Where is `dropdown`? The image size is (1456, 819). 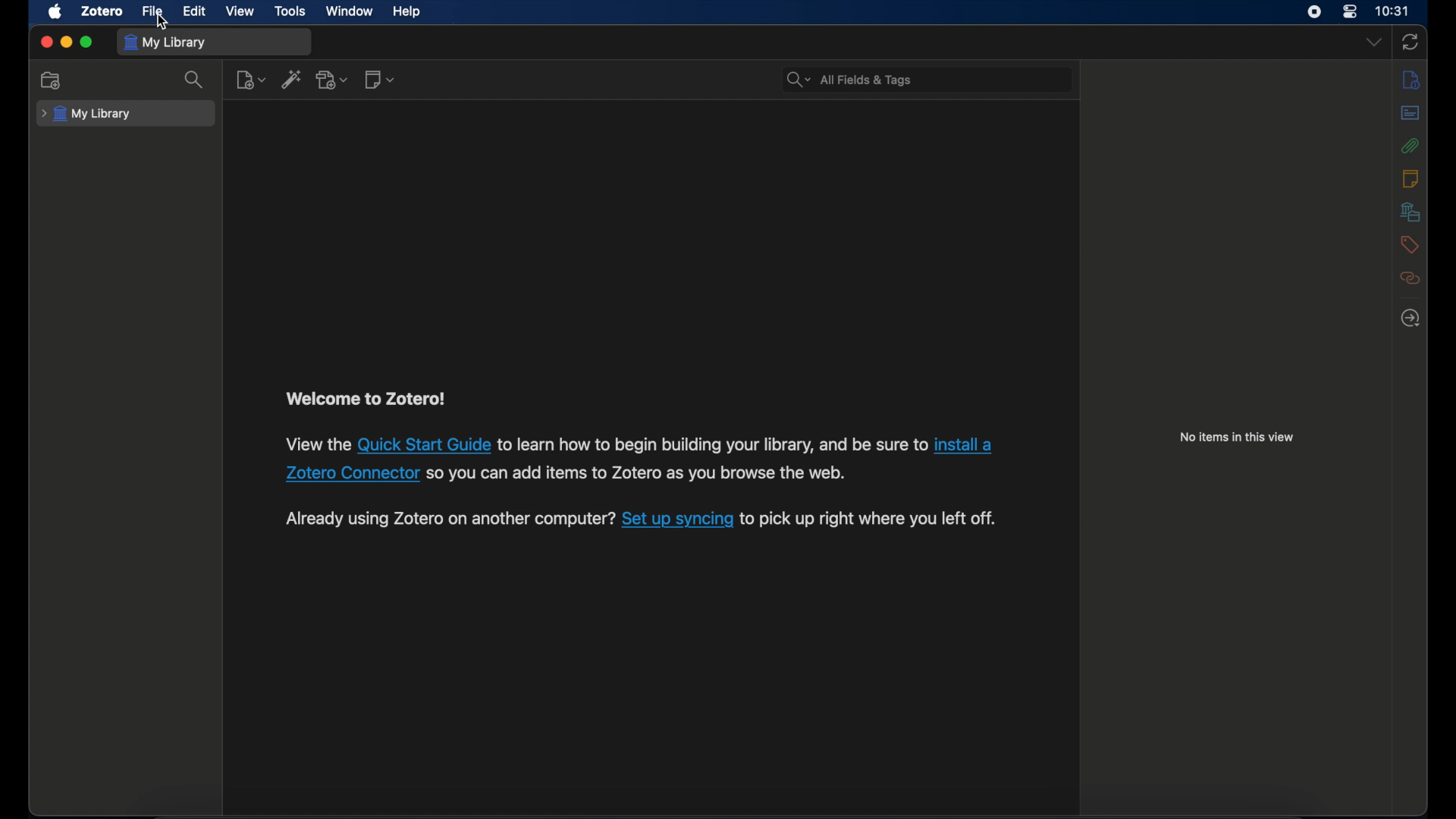 dropdown is located at coordinates (1373, 42).